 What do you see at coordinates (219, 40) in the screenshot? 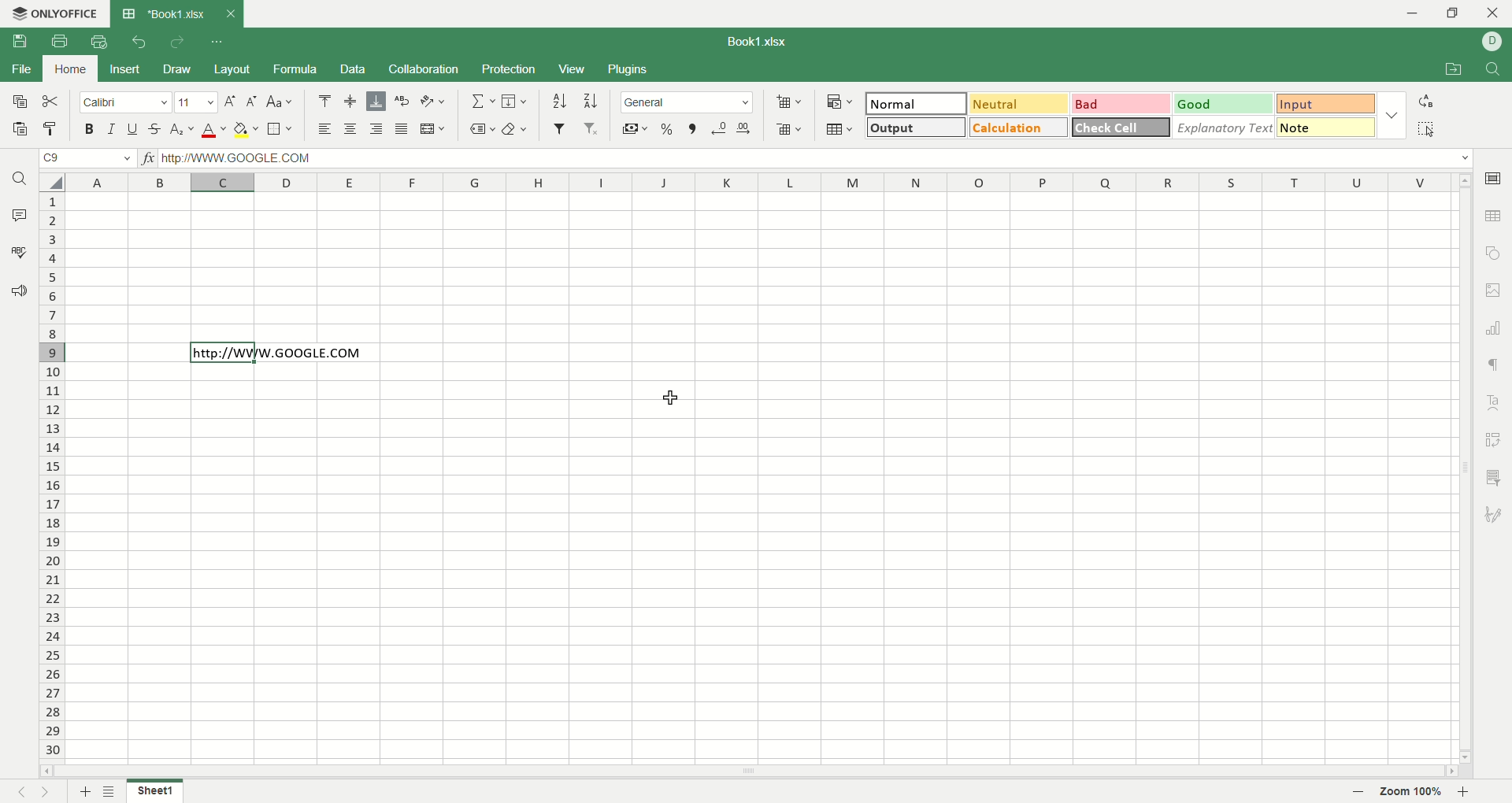
I see `quick settings` at bounding box center [219, 40].